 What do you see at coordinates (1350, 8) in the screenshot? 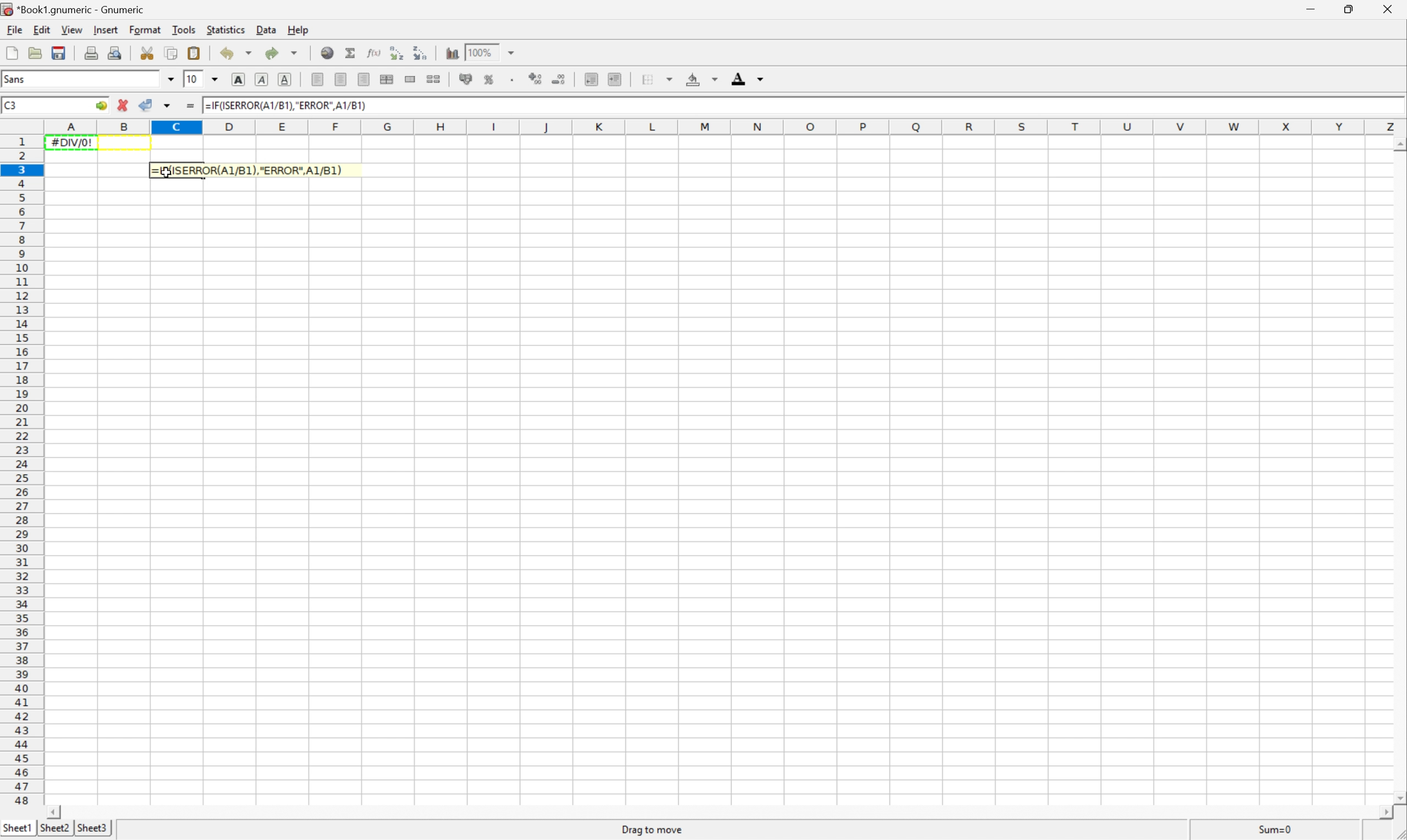
I see `Restore down` at bounding box center [1350, 8].